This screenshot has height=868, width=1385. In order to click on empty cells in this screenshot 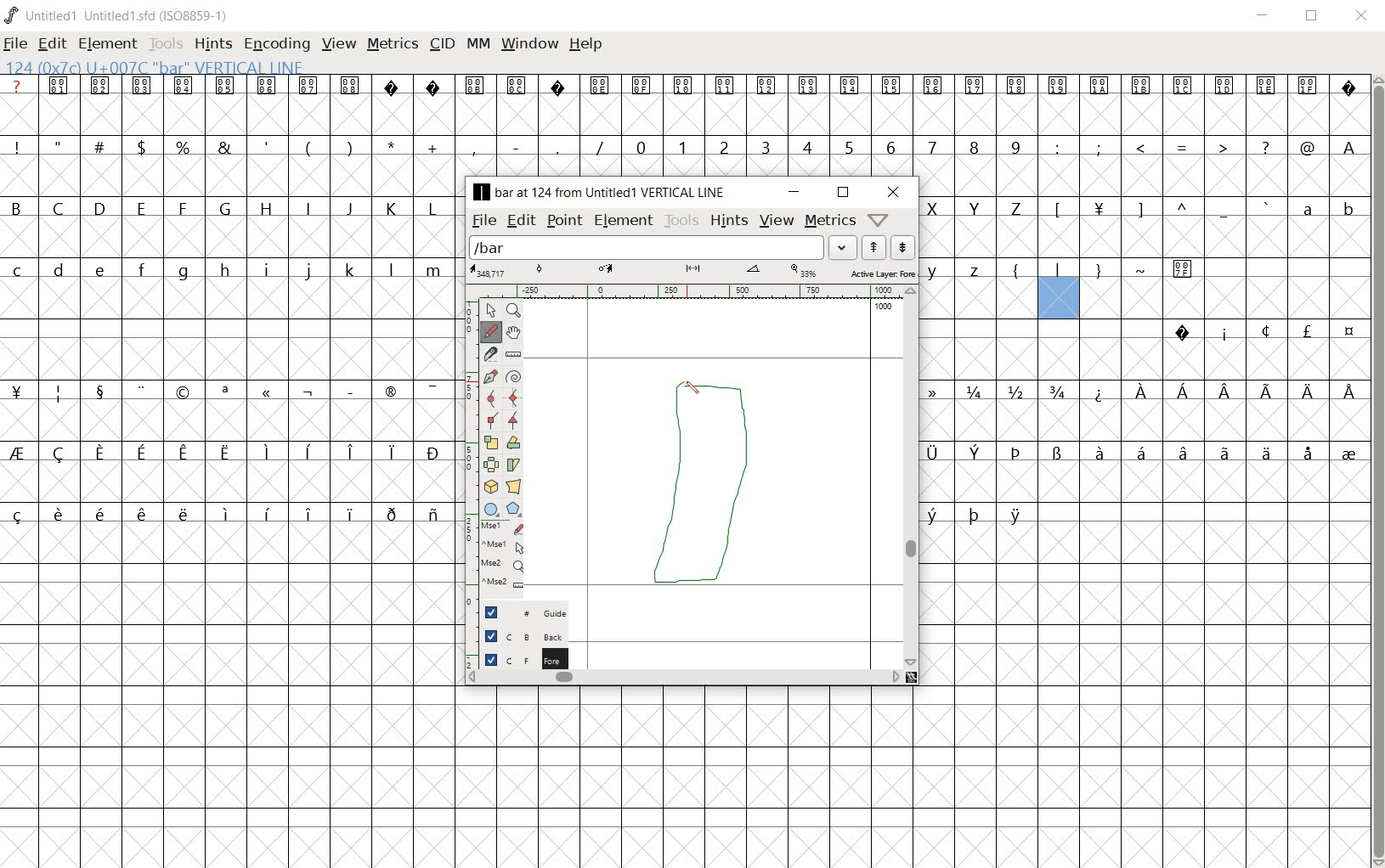, I will do `click(232, 419)`.